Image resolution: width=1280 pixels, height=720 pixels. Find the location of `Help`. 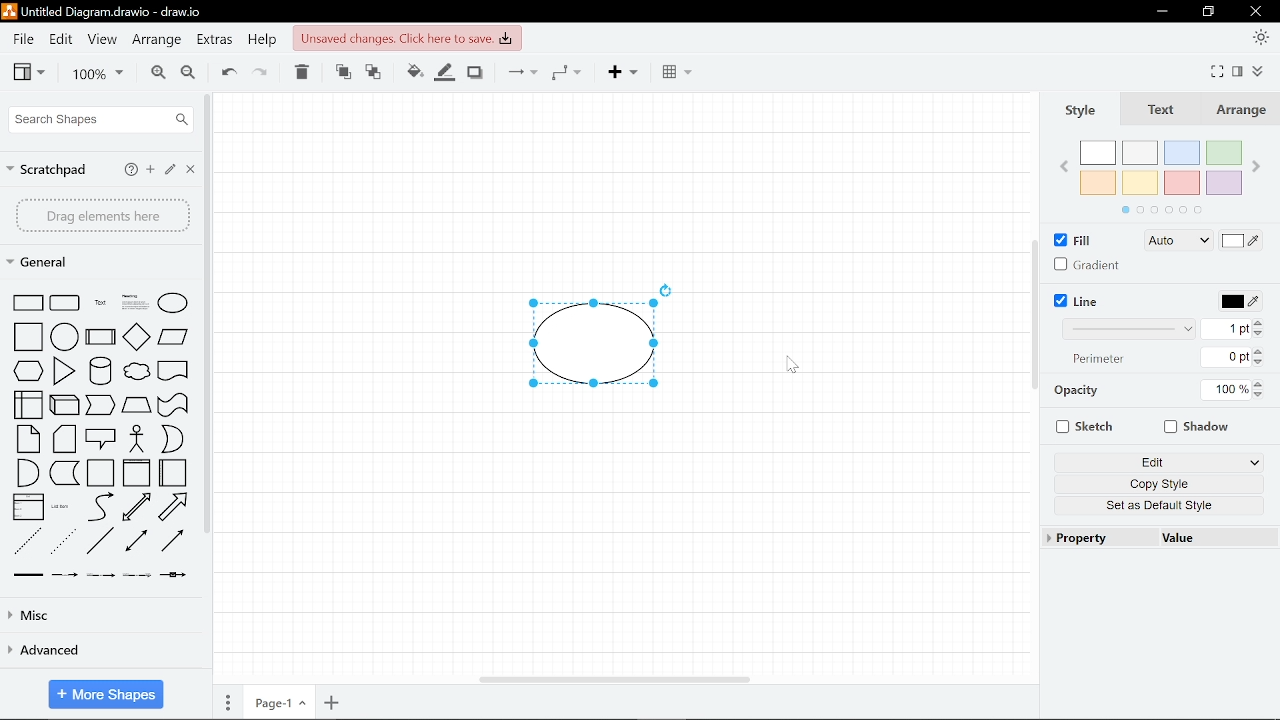

Help is located at coordinates (263, 41).